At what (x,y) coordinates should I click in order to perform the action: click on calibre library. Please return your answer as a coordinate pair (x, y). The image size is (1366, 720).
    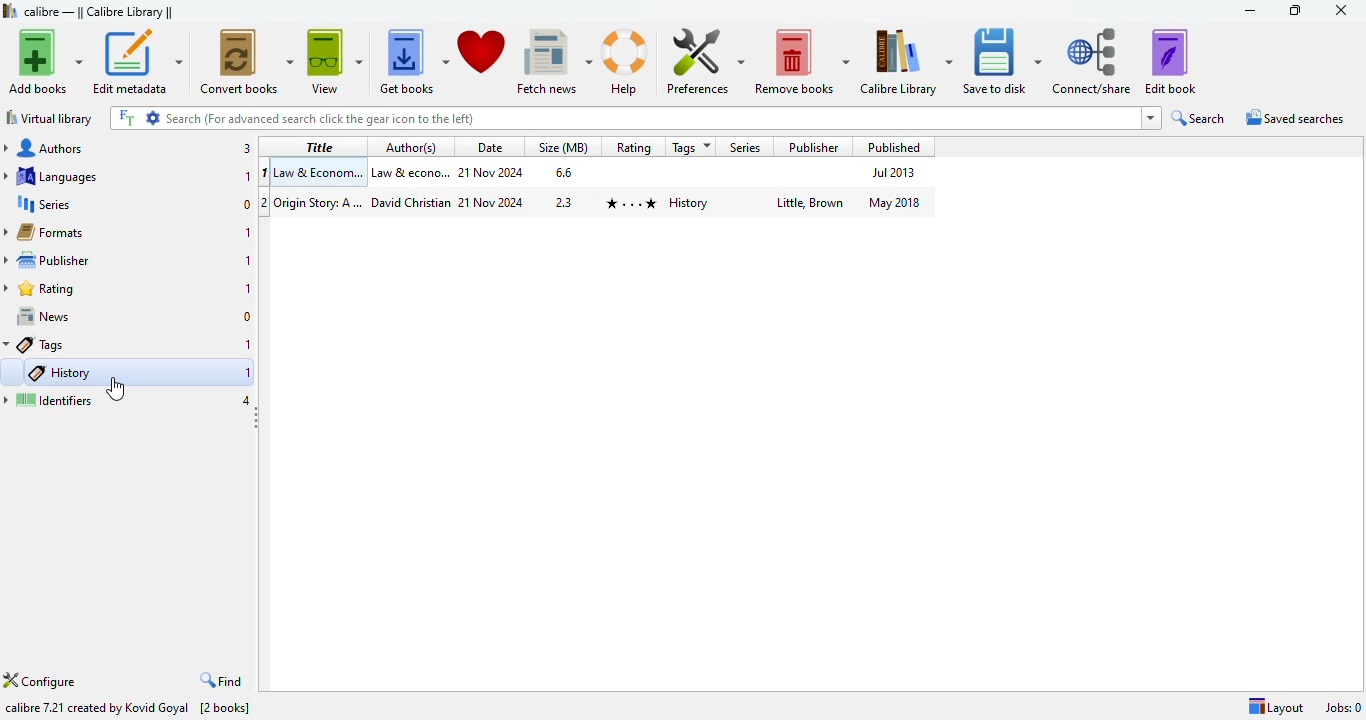
    Looking at the image, I should click on (907, 61).